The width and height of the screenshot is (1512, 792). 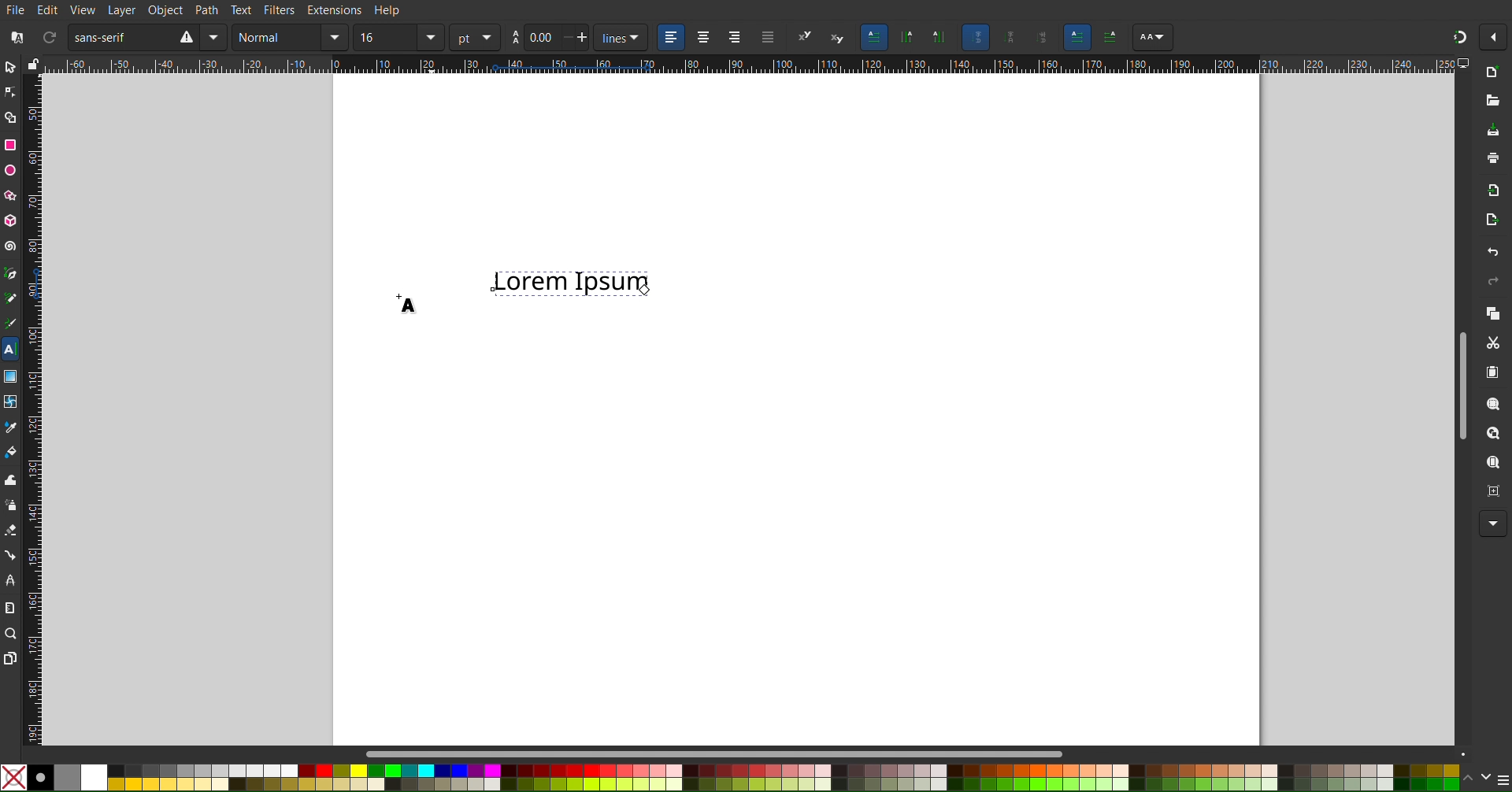 What do you see at coordinates (20, 35) in the screenshot?
I see `font file` at bounding box center [20, 35].